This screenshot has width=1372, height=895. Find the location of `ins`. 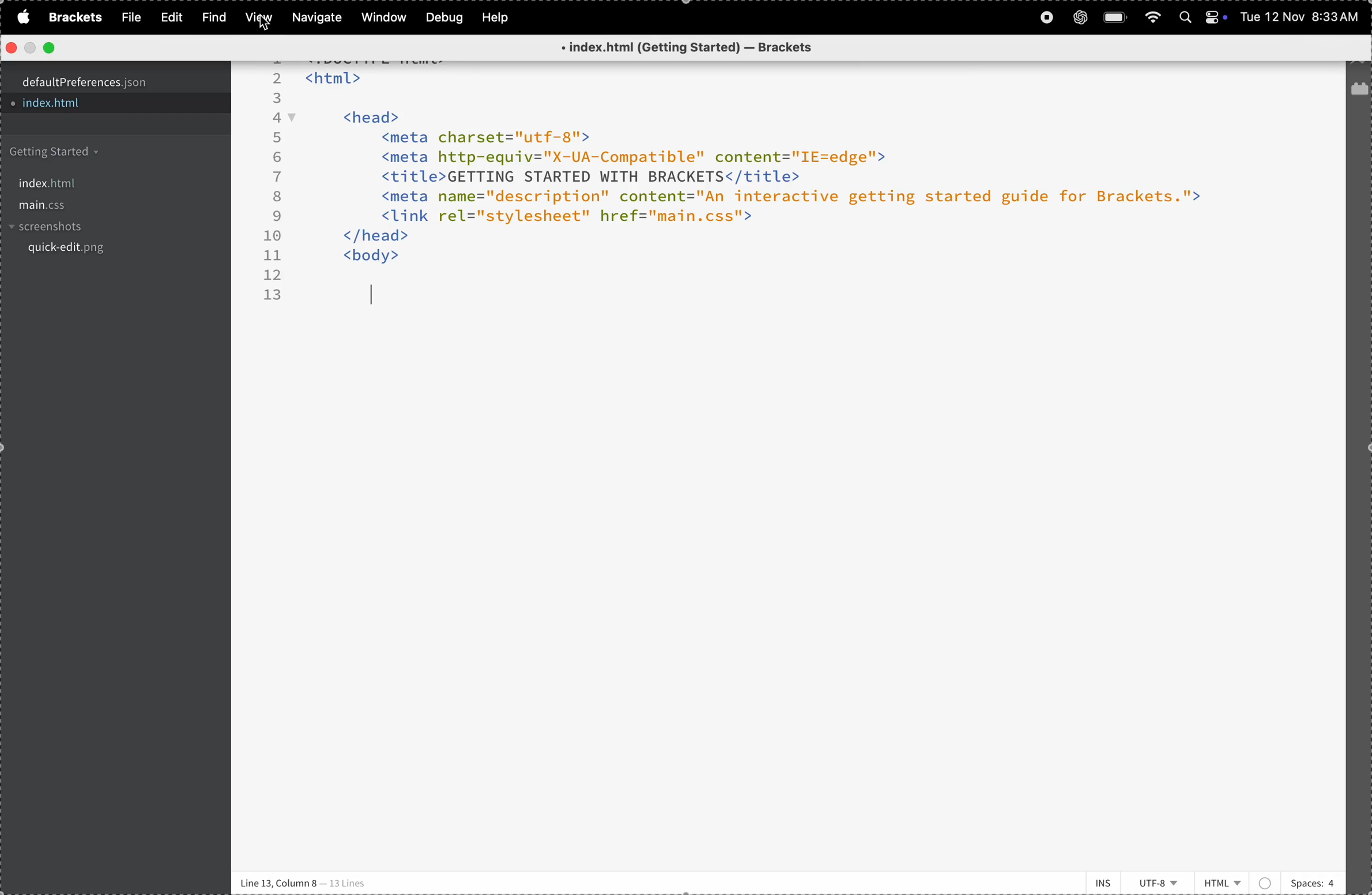

ins is located at coordinates (1097, 881).